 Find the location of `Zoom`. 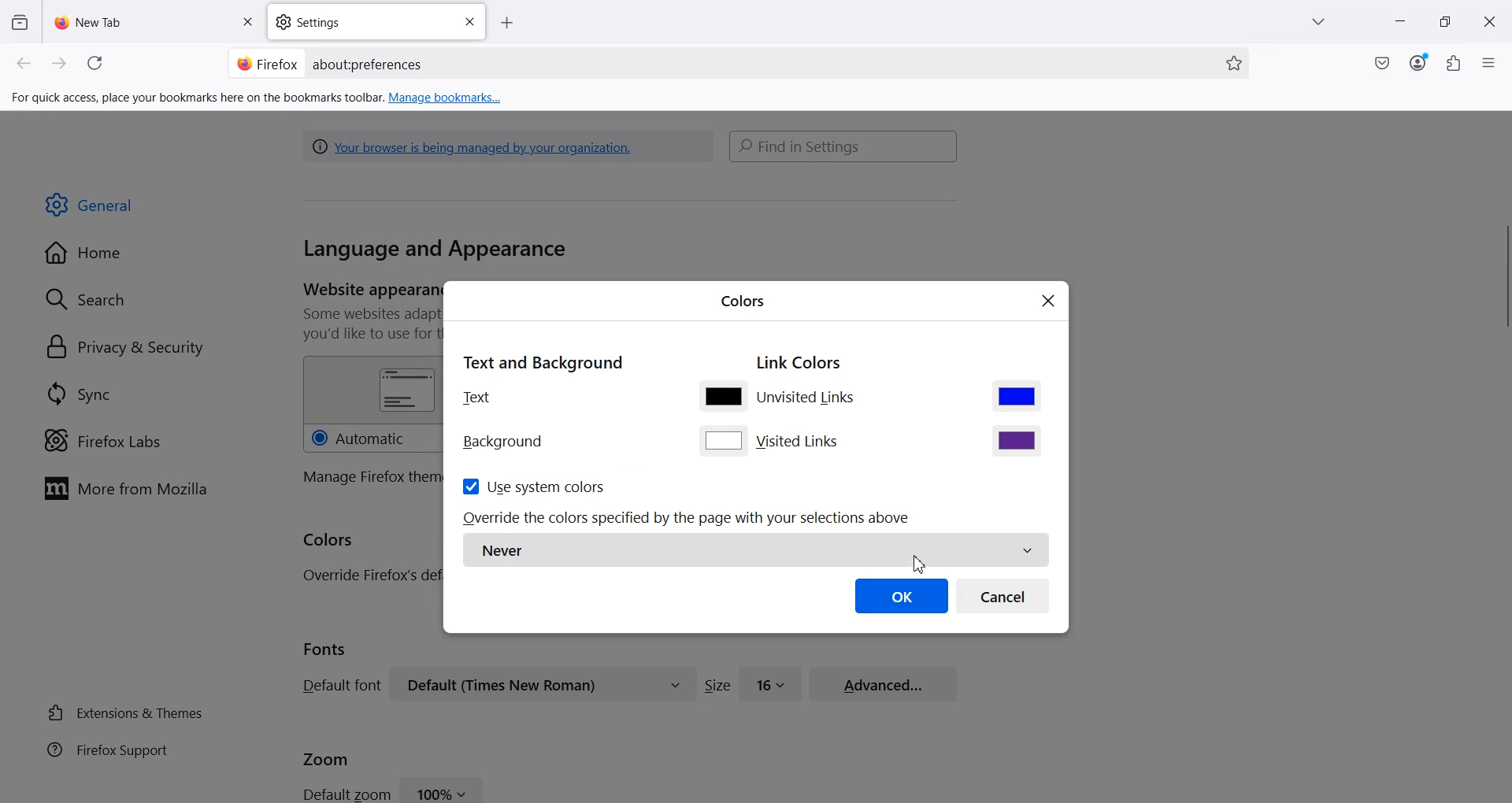

Zoom is located at coordinates (326, 757).